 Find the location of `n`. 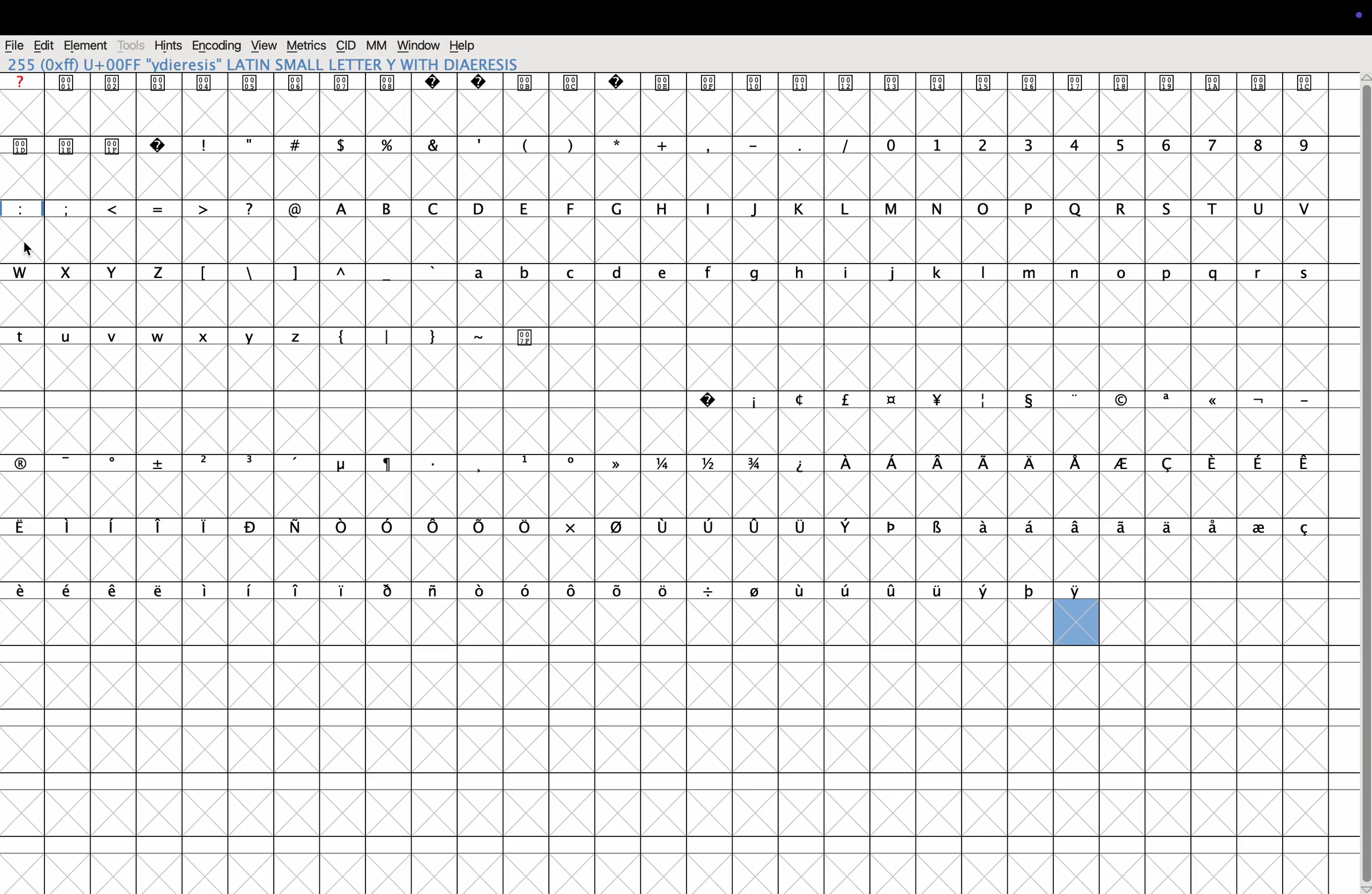

n is located at coordinates (942, 226).